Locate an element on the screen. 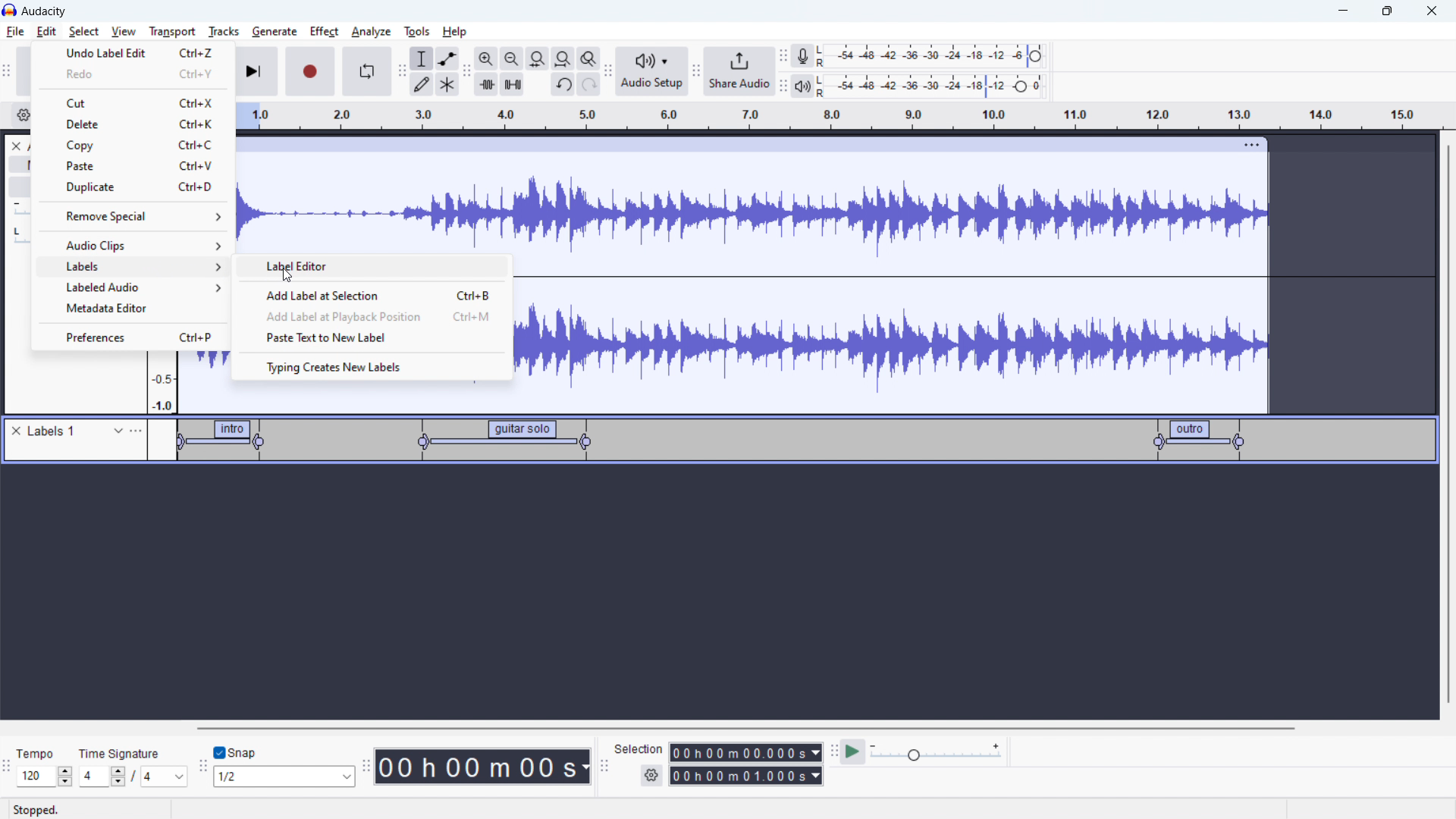  Preferences Ctrl+P is located at coordinates (140, 335).